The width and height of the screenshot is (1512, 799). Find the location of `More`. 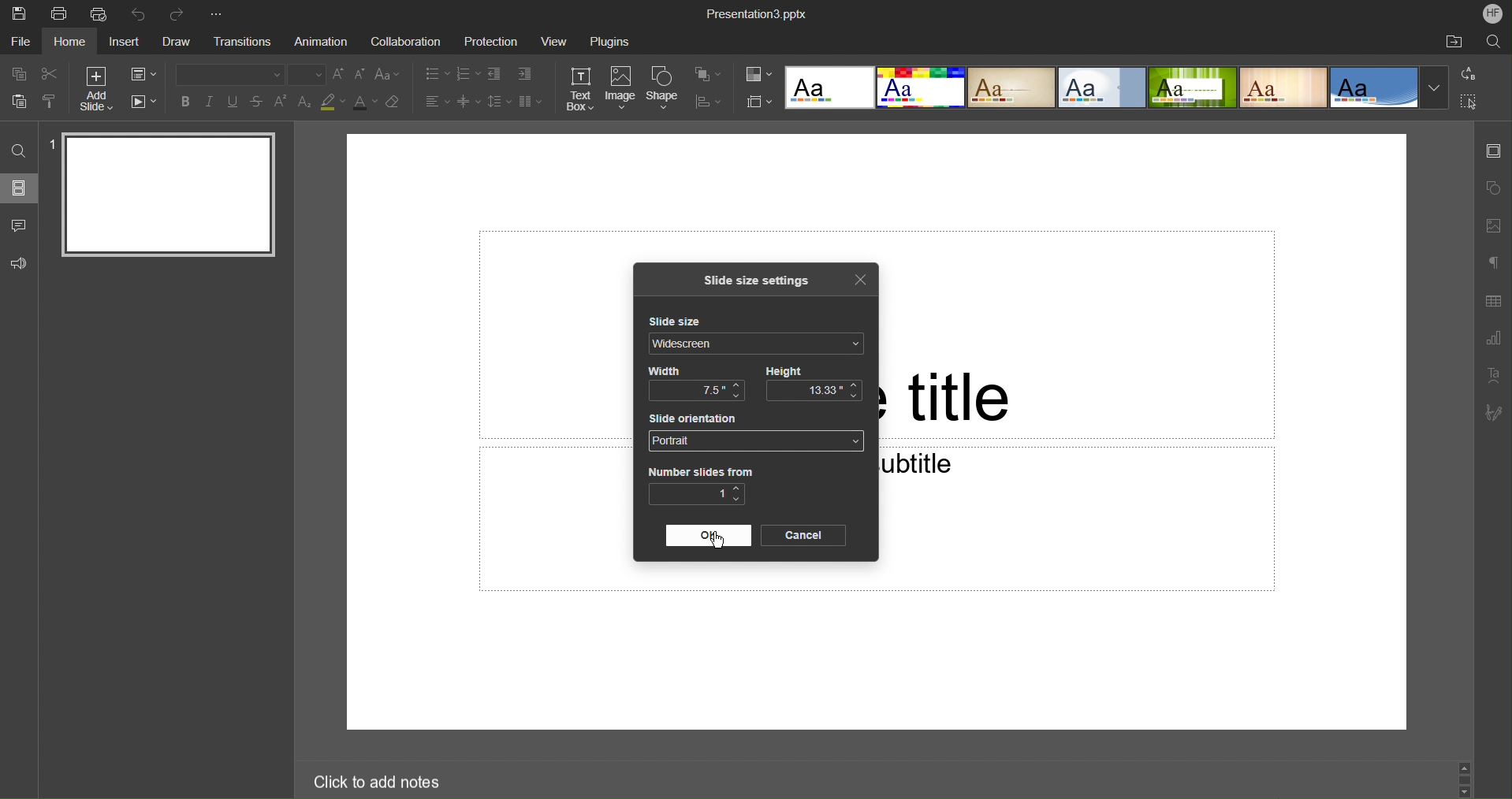

More is located at coordinates (220, 11).